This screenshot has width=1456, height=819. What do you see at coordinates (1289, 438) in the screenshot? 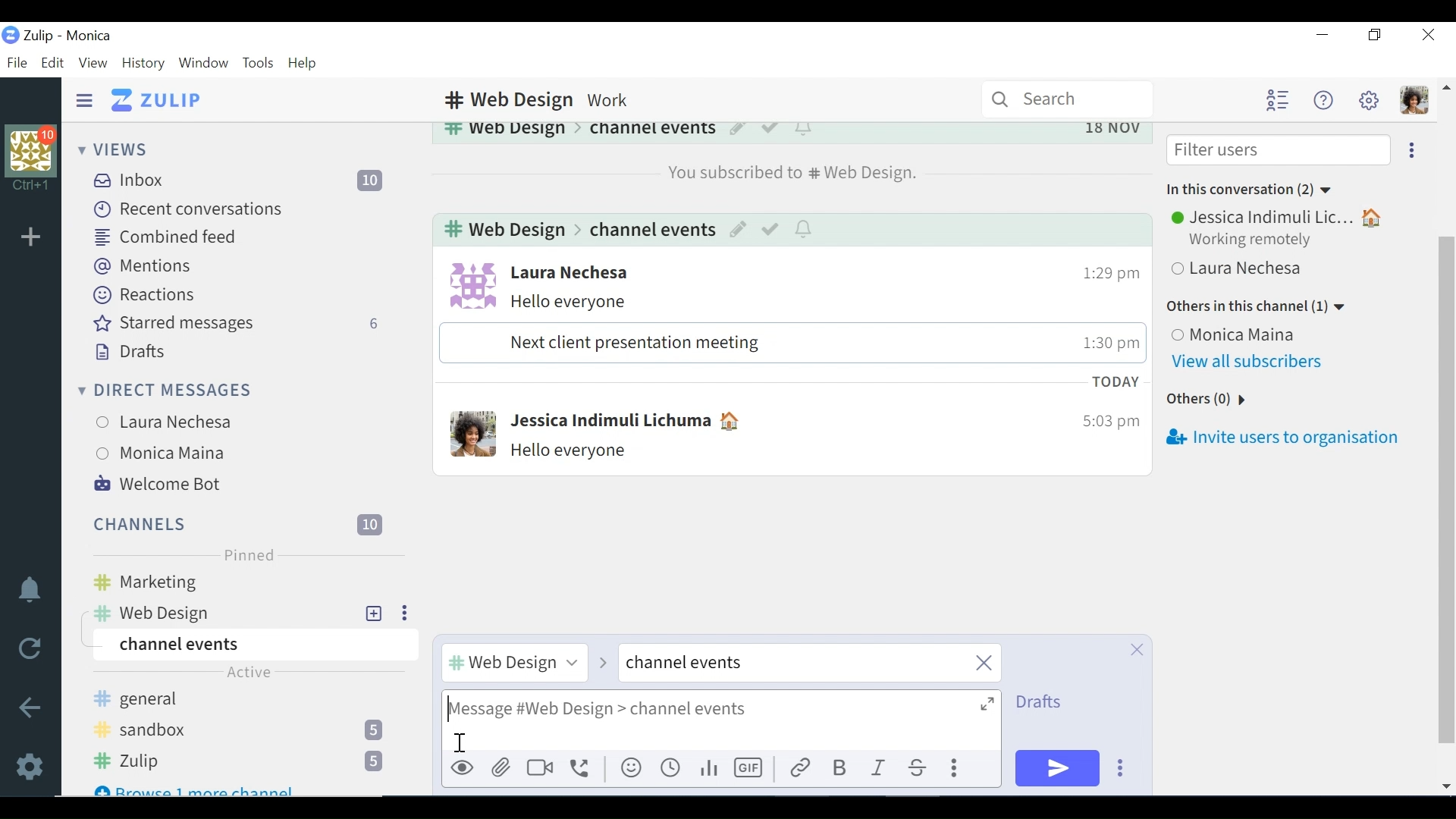
I see `Invite users to organisation` at bounding box center [1289, 438].